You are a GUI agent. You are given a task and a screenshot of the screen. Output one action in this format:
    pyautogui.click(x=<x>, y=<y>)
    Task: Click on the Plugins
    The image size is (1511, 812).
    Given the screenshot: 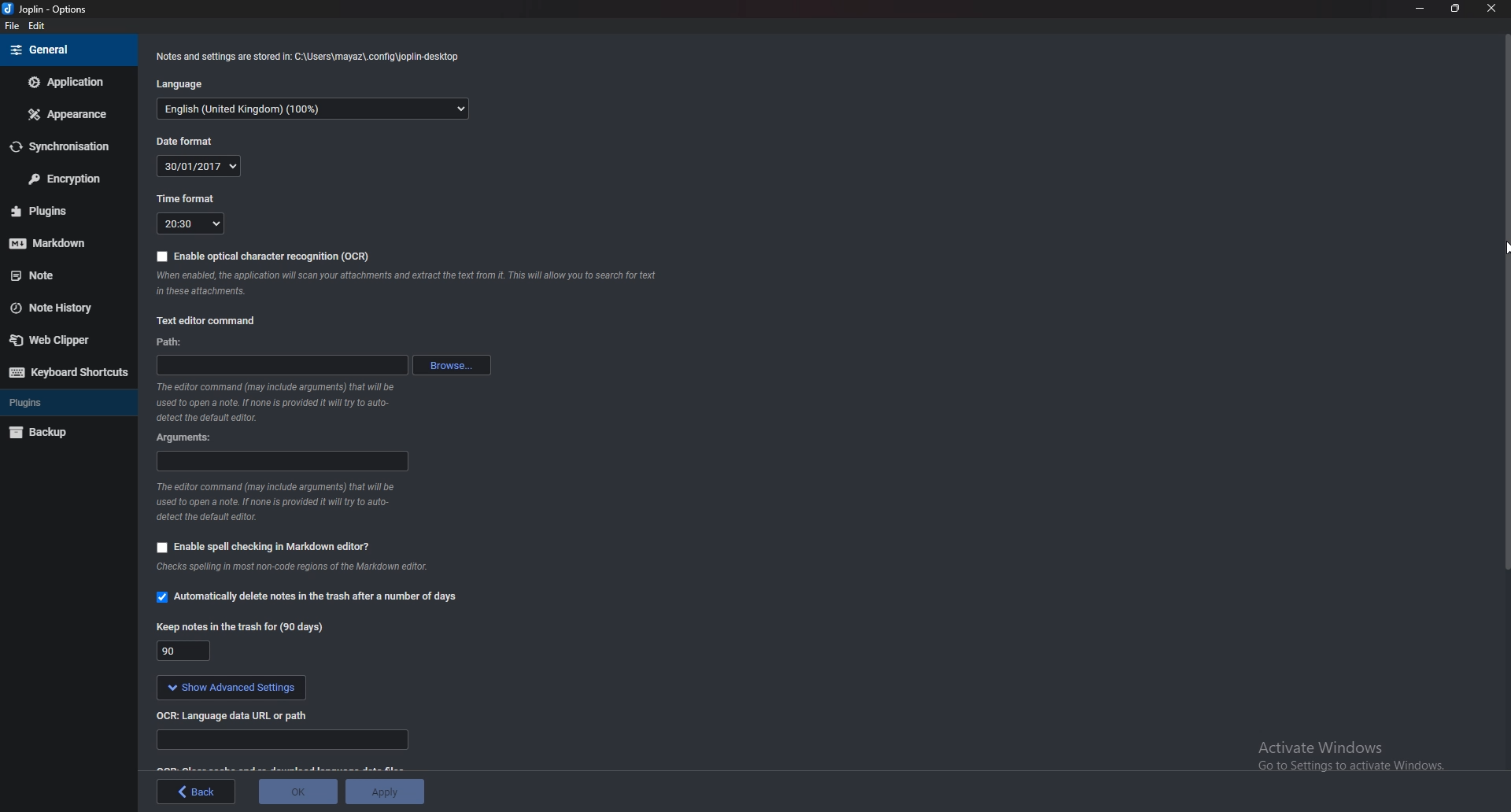 What is the action you would take?
    pyautogui.click(x=61, y=210)
    